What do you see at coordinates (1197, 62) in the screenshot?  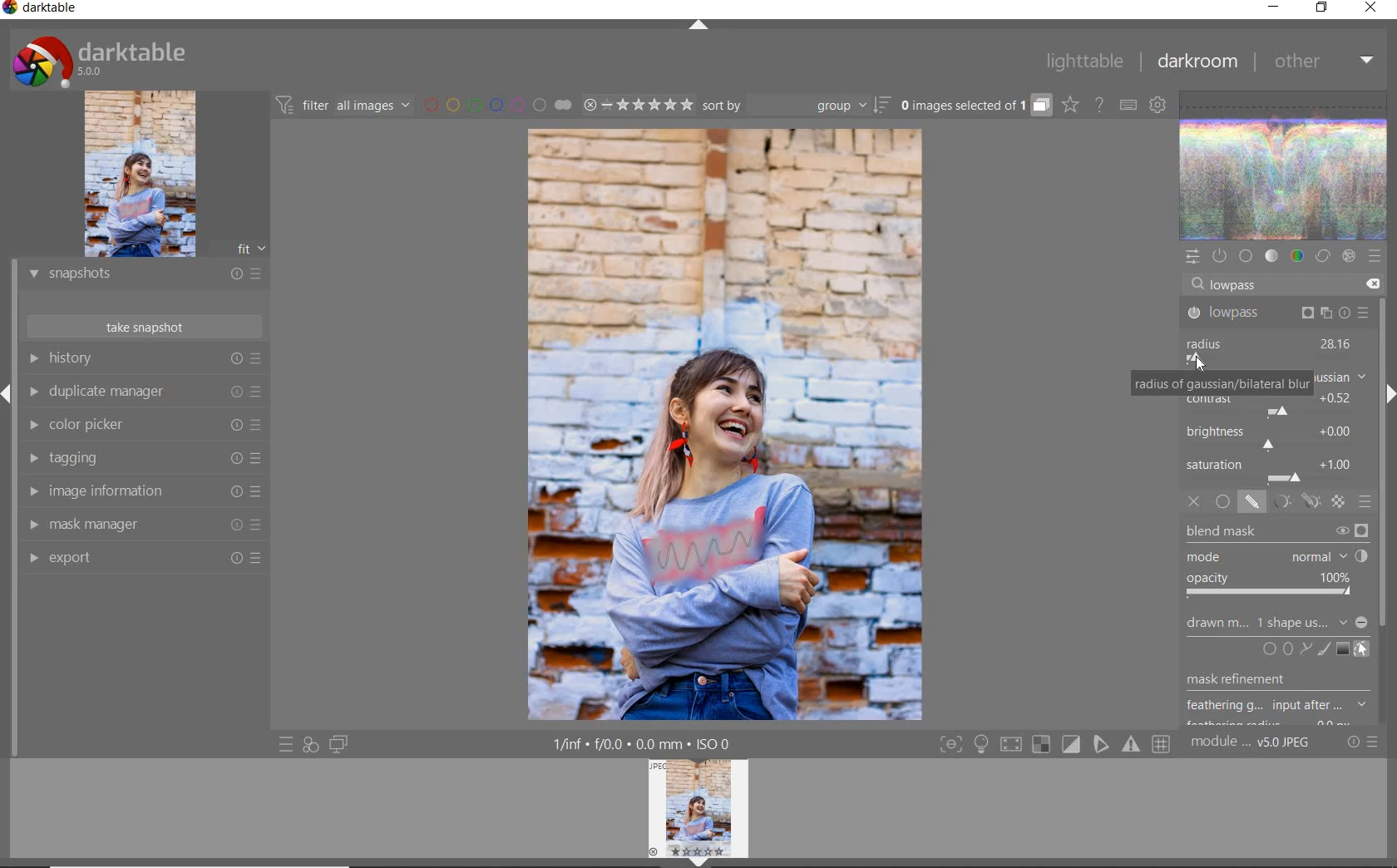 I see `darkroom` at bounding box center [1197, 62].